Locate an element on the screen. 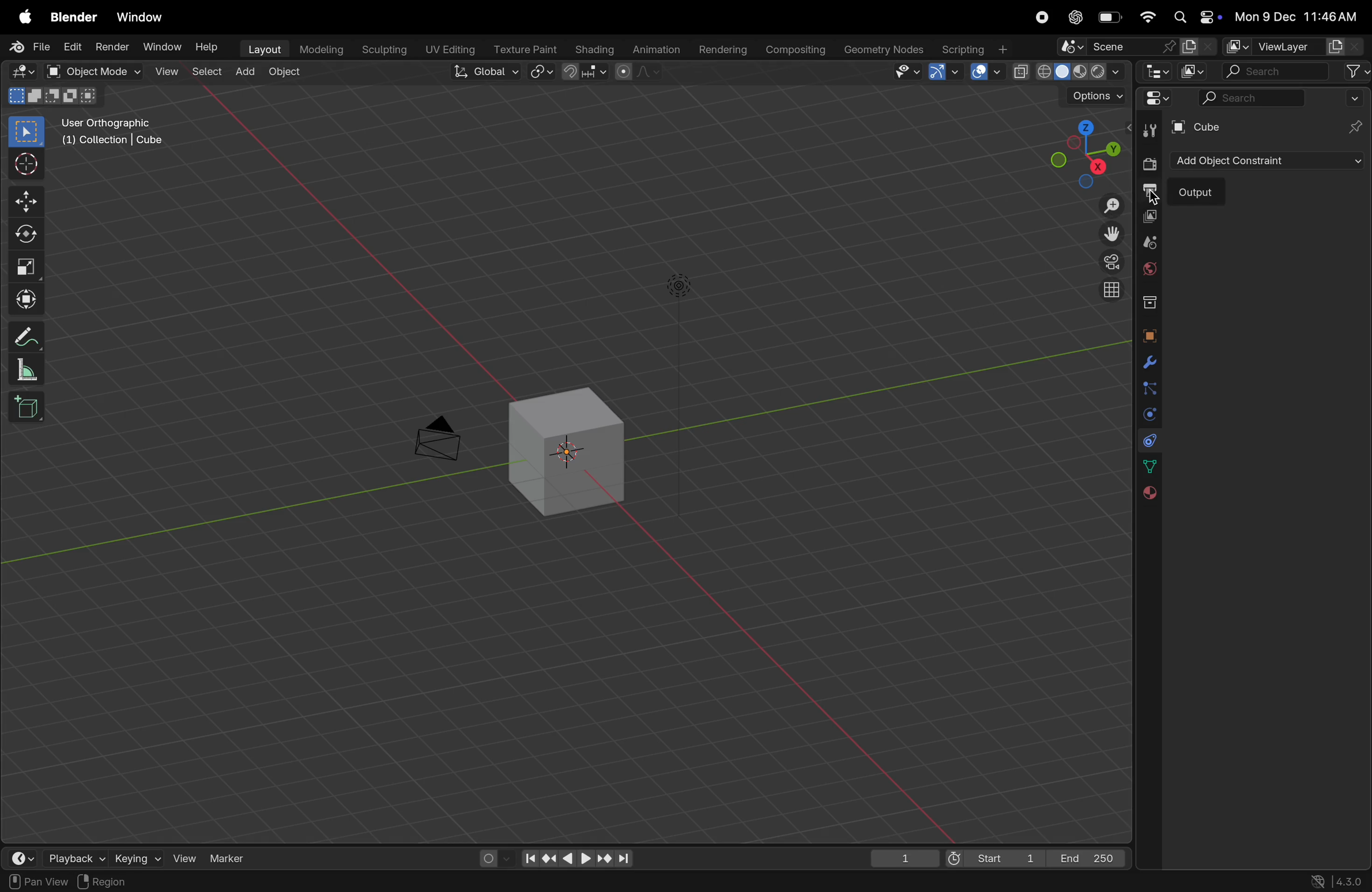 The image size is (1372, 892). Sculpting is located at coordinates (381, 49).